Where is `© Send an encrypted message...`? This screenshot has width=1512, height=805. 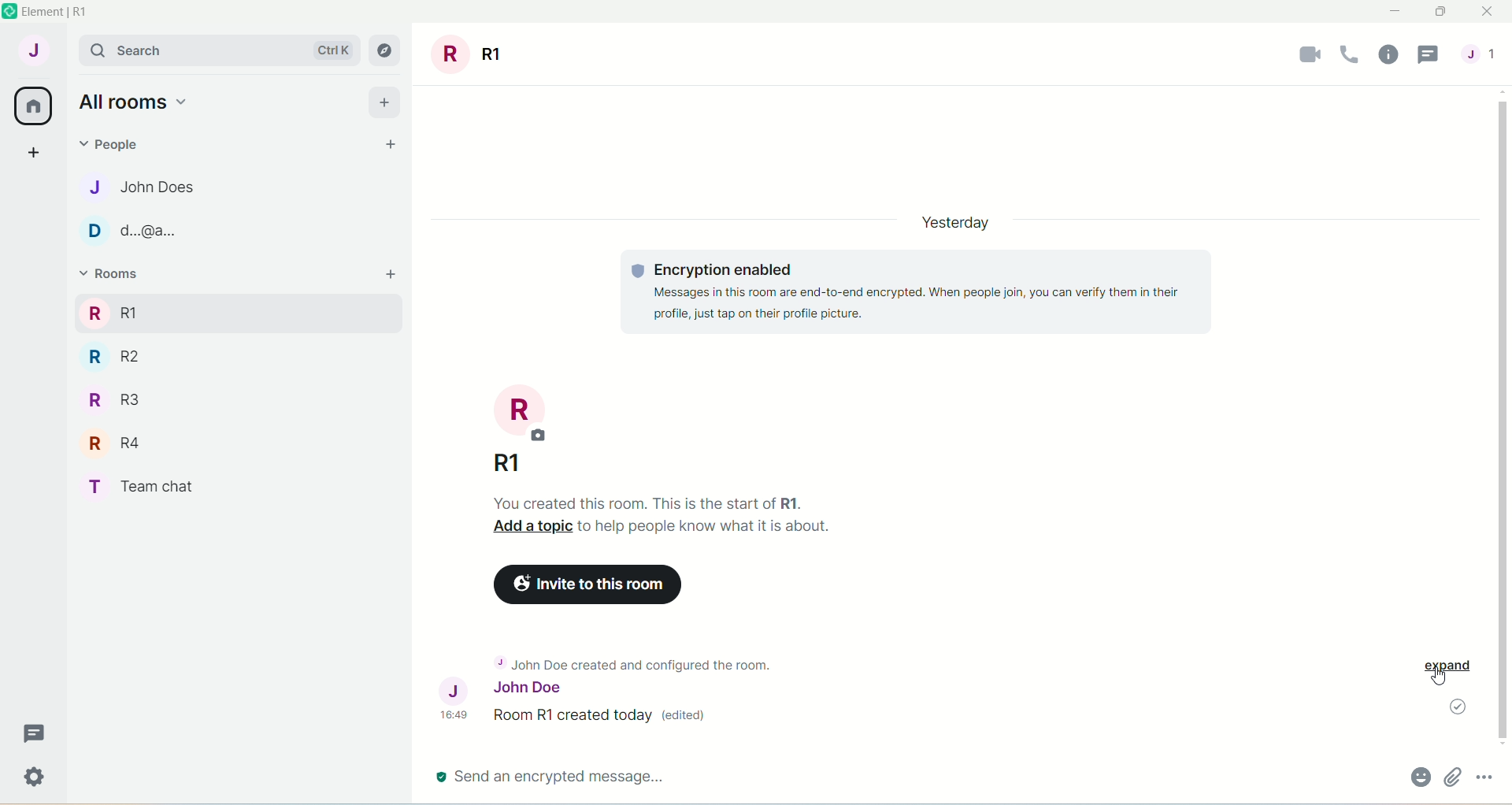
© Send an encrypted message... is located at coordinates (892, 776).